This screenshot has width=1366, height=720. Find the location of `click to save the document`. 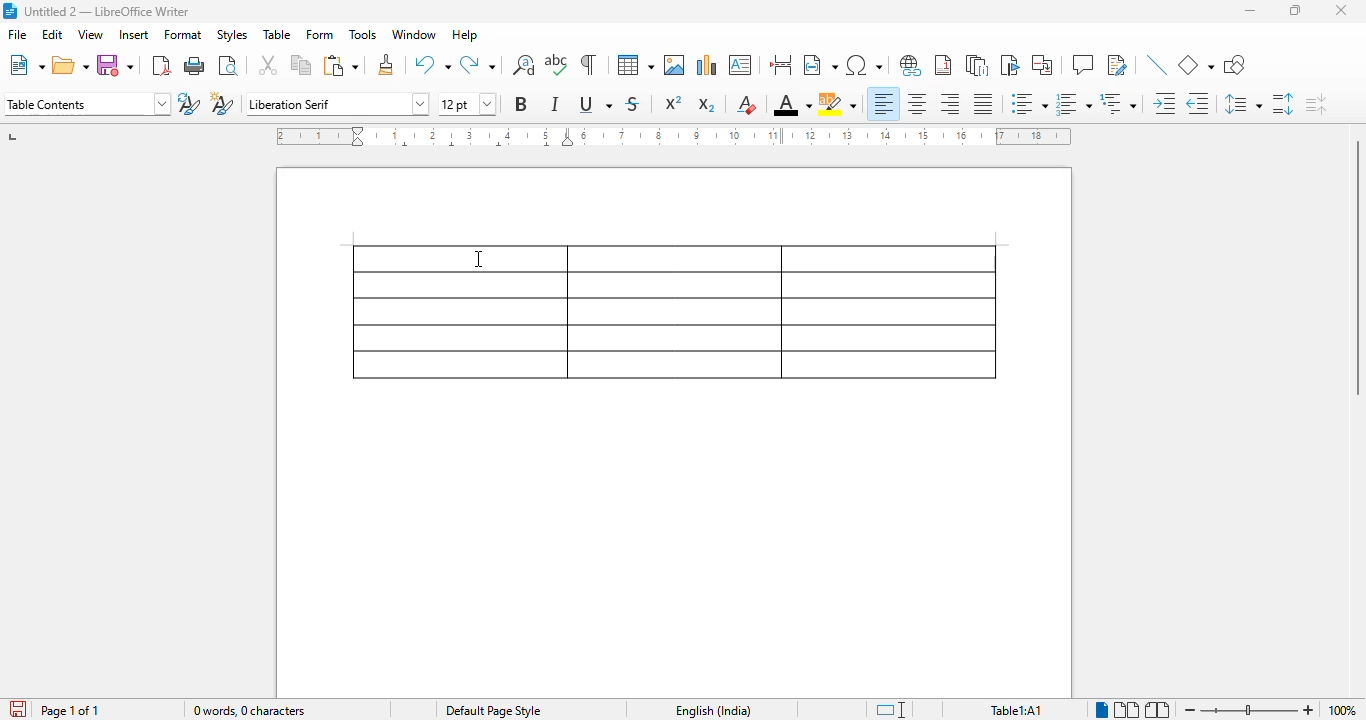

click to save the document is located at coordinates (18, 709).